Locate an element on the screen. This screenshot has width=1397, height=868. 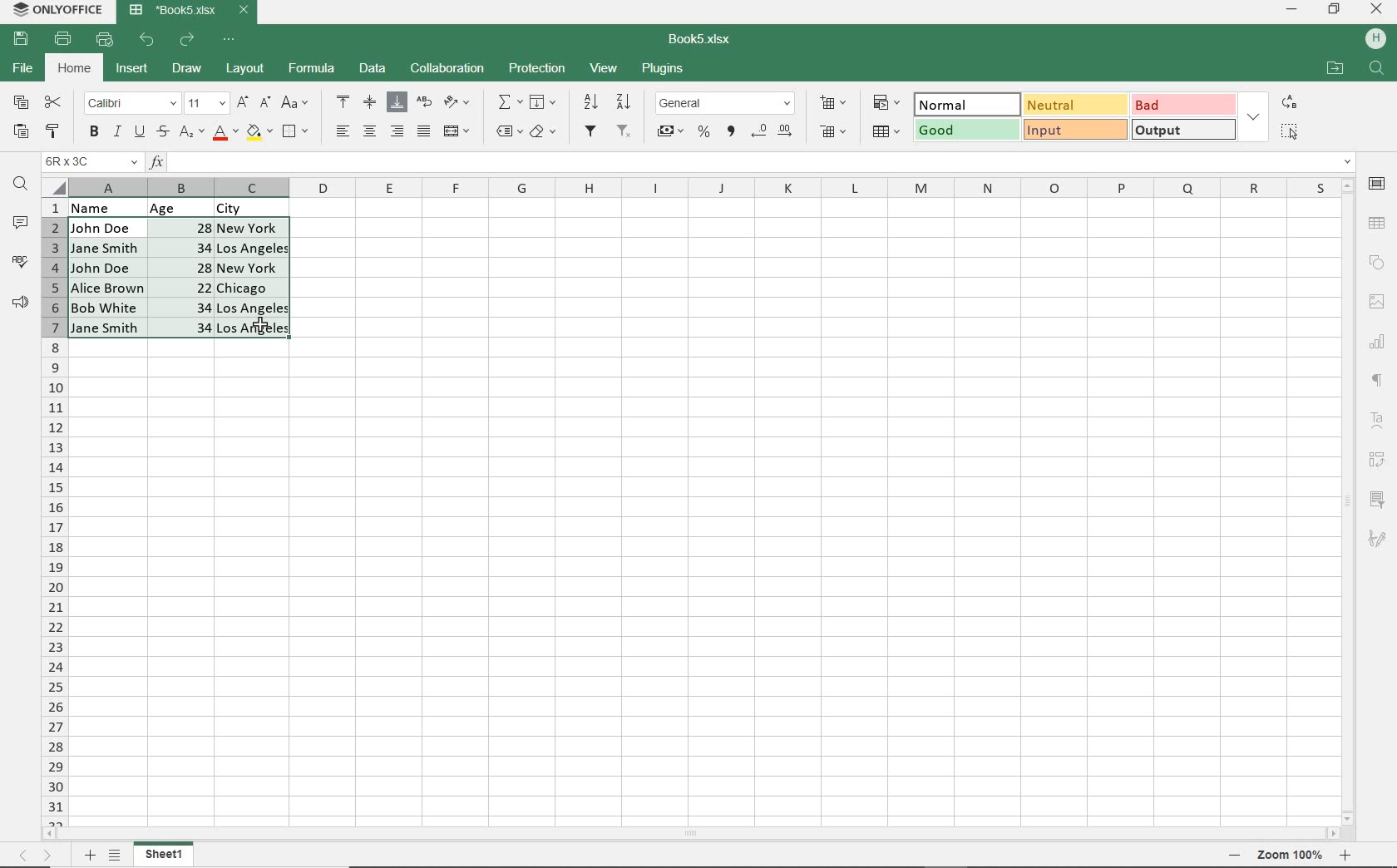
ALIGN BOTTOM is located at coordinates (397, 102).